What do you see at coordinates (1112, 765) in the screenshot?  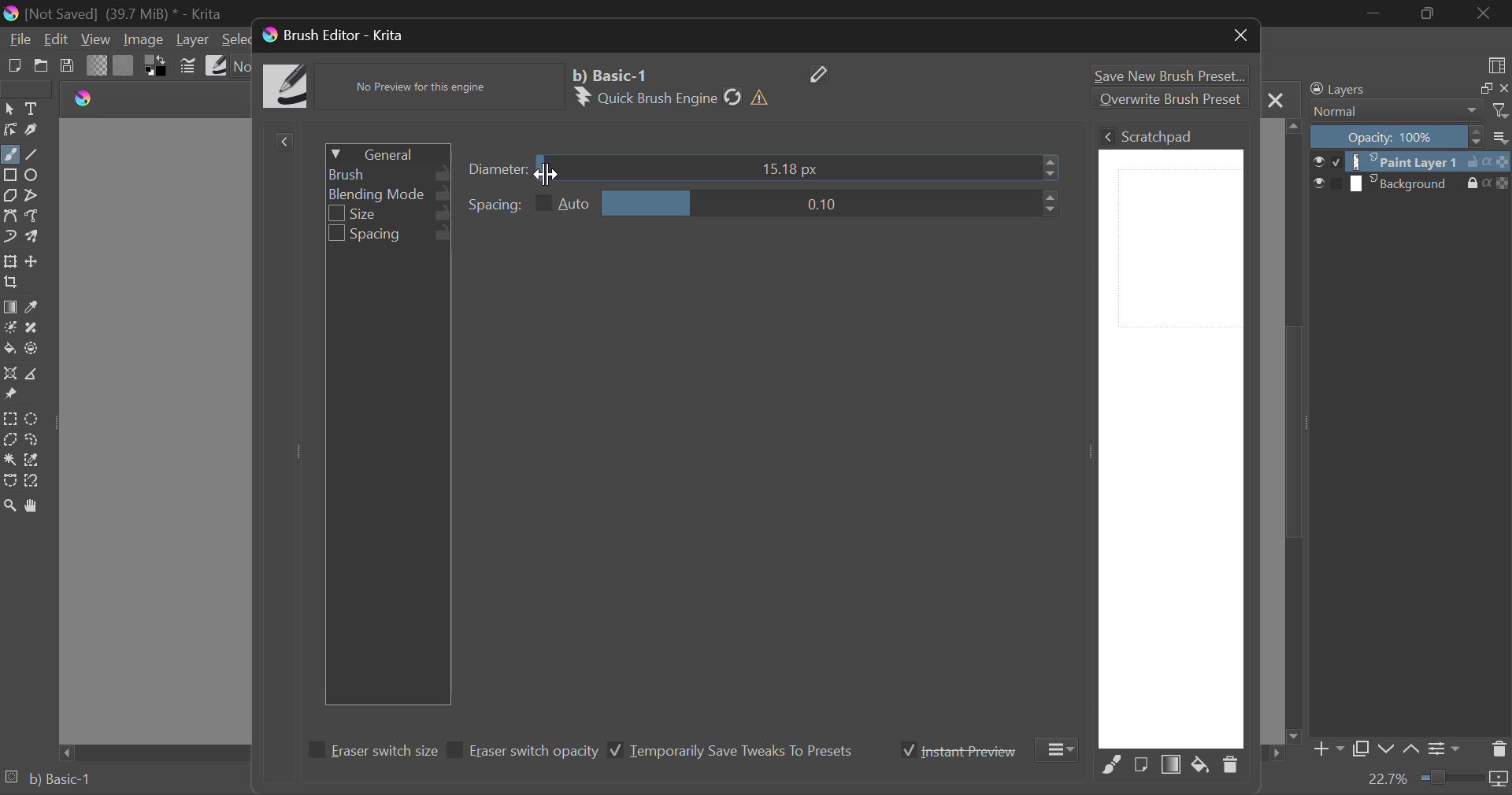 I see `Fill Area with Selected Brush Preset` at bounding box center [1112, 765].